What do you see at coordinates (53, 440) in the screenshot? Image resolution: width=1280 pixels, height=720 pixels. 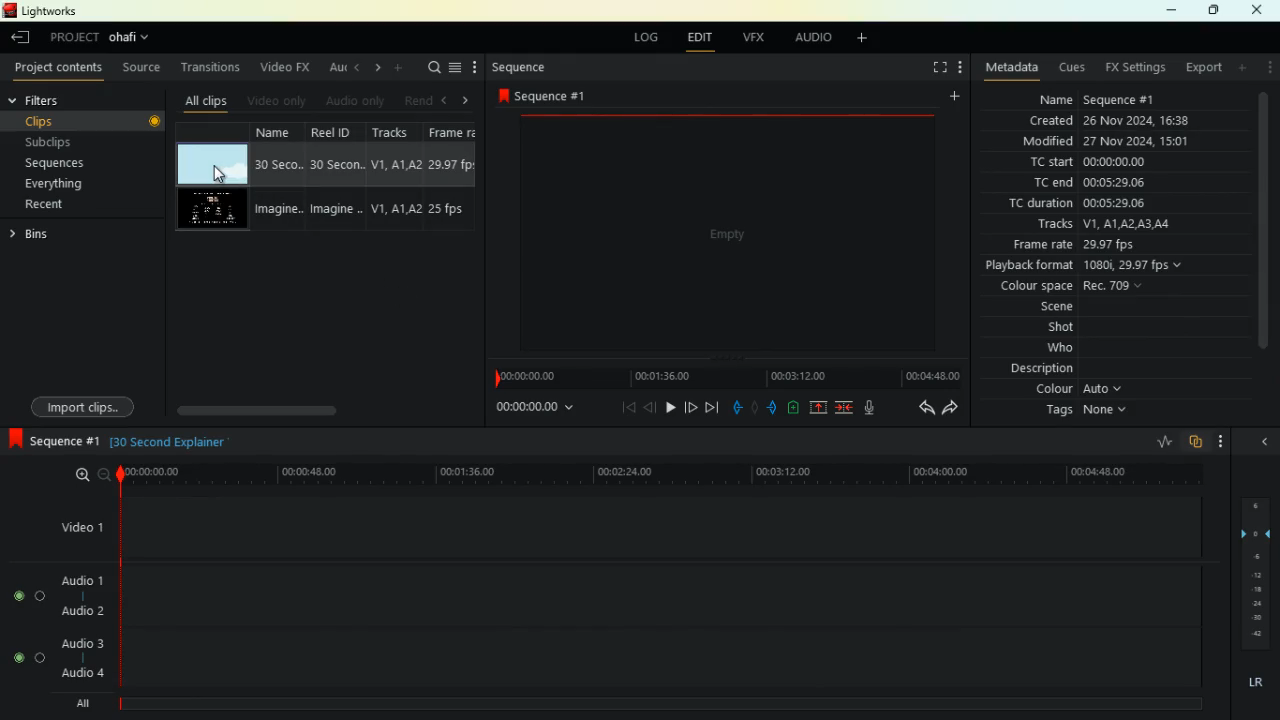 I see `sequence` at bounding box center [53, 440].